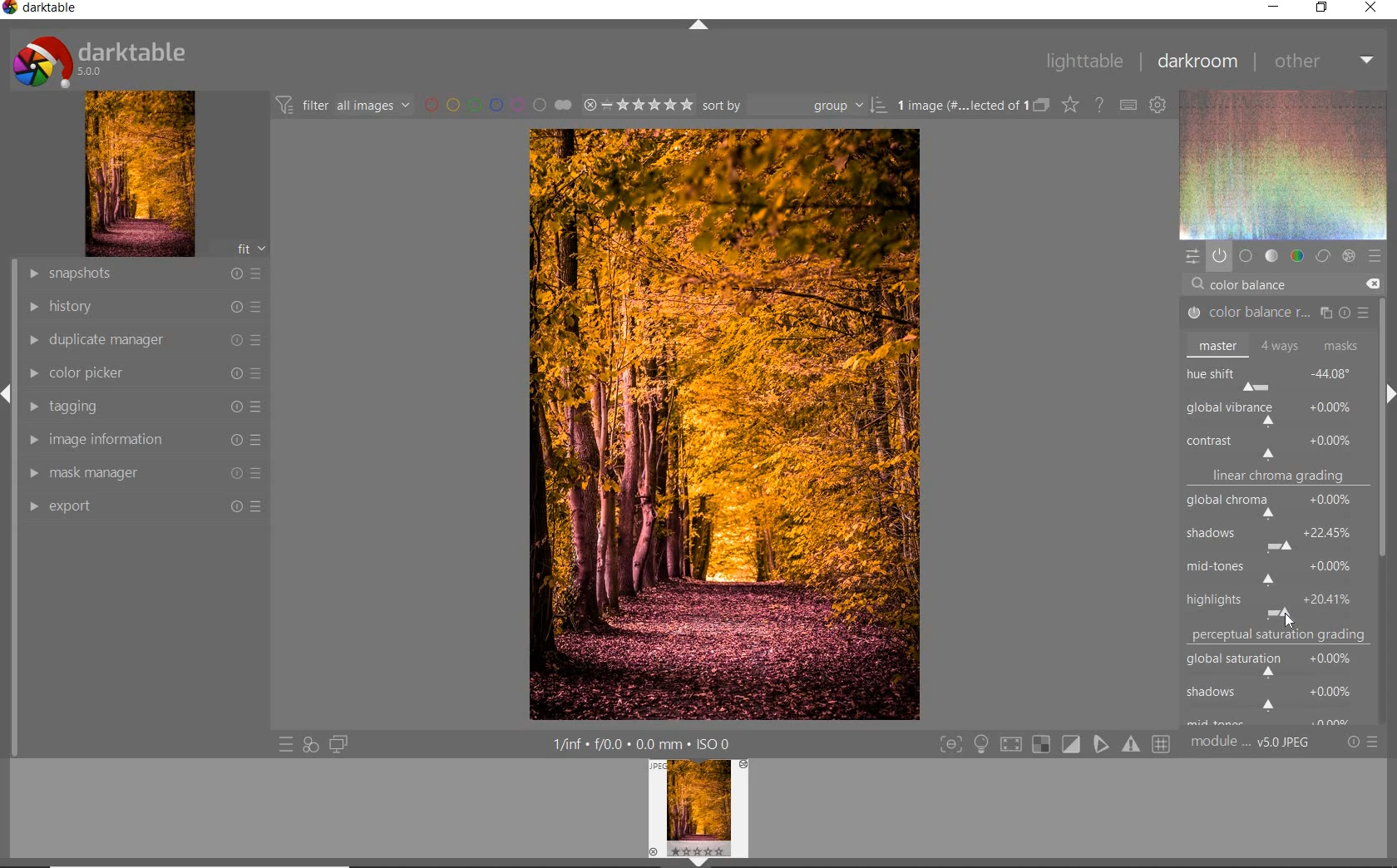  What do you see at coordinates (1198, 61) in the screenshot?
I see `darkroom` at bounding box center [1198, 61].